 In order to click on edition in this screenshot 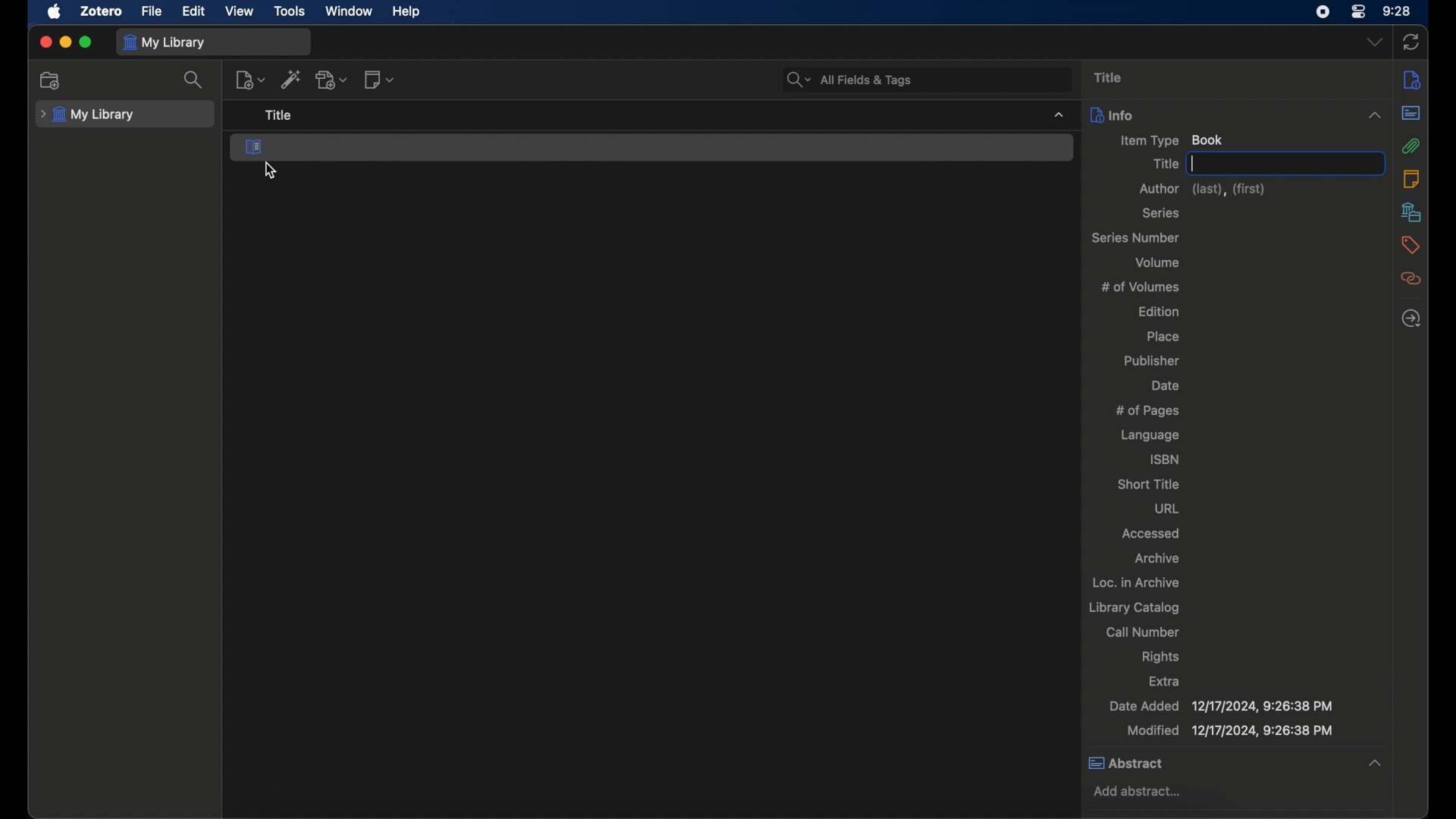, I will do `click(1159, 312)`.